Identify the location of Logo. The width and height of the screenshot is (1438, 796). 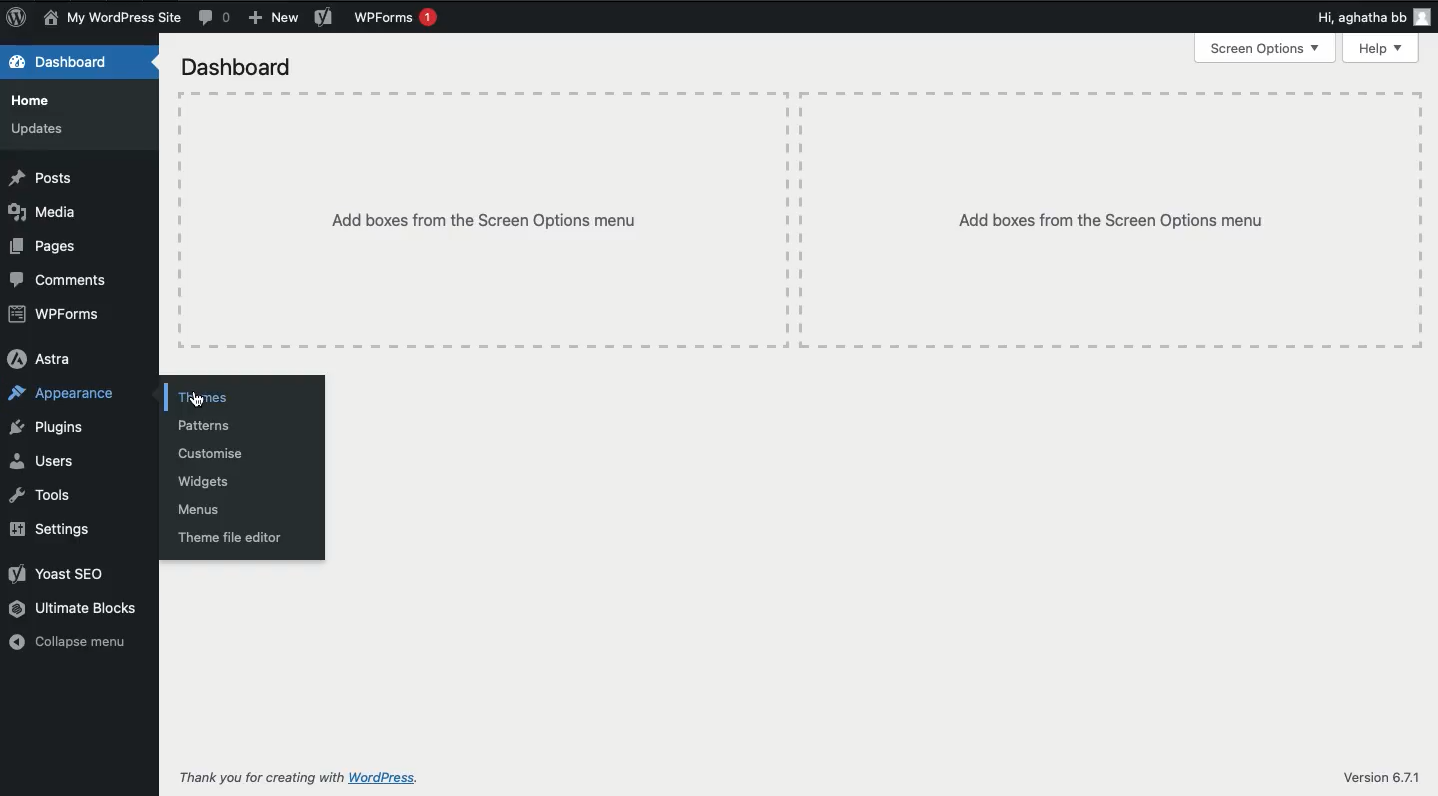
(18, 17).